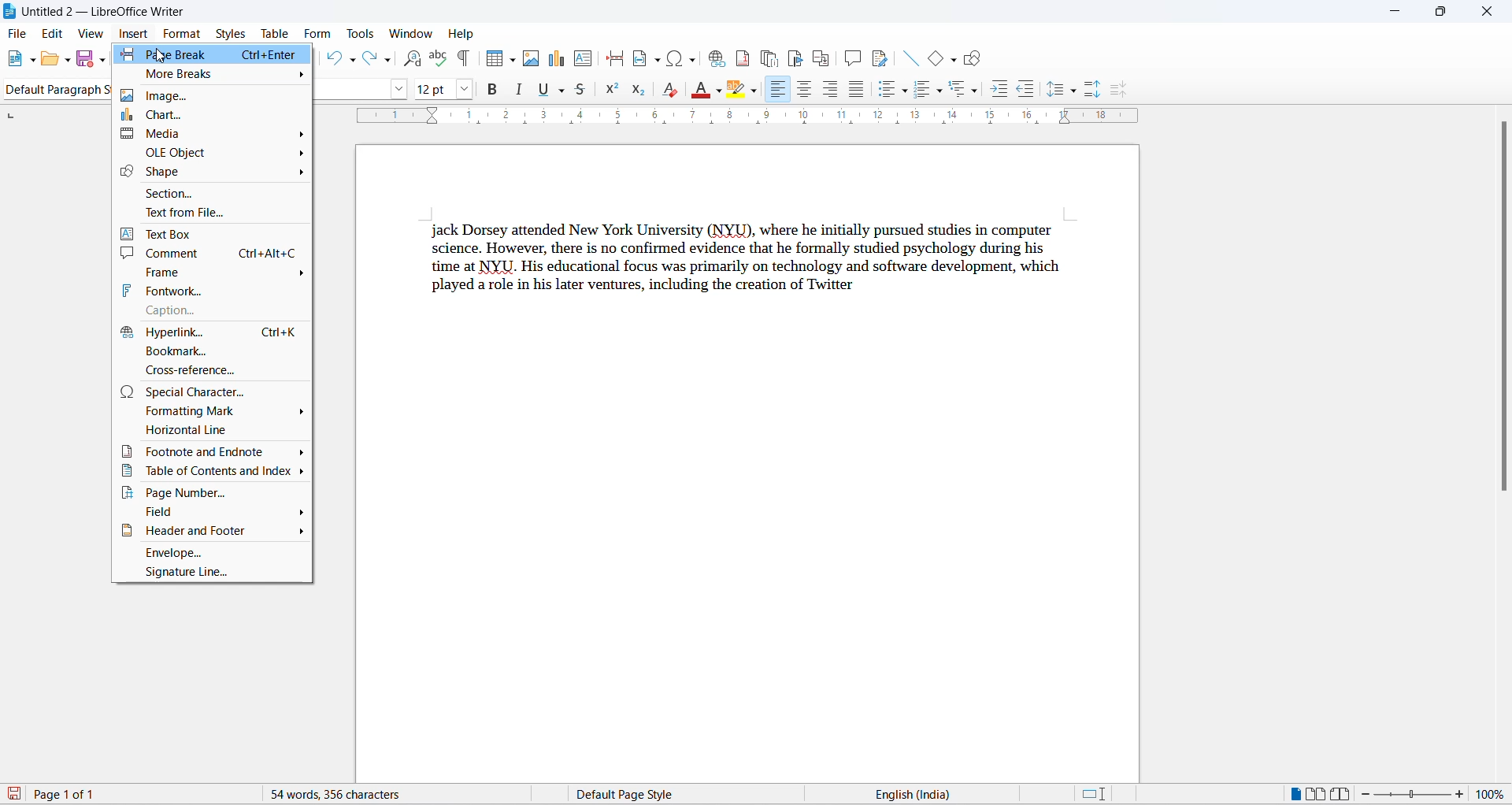  What do you see at coordinates (334, 57) in the screenshot?
I see `undo` at bounding box center [334, 57].